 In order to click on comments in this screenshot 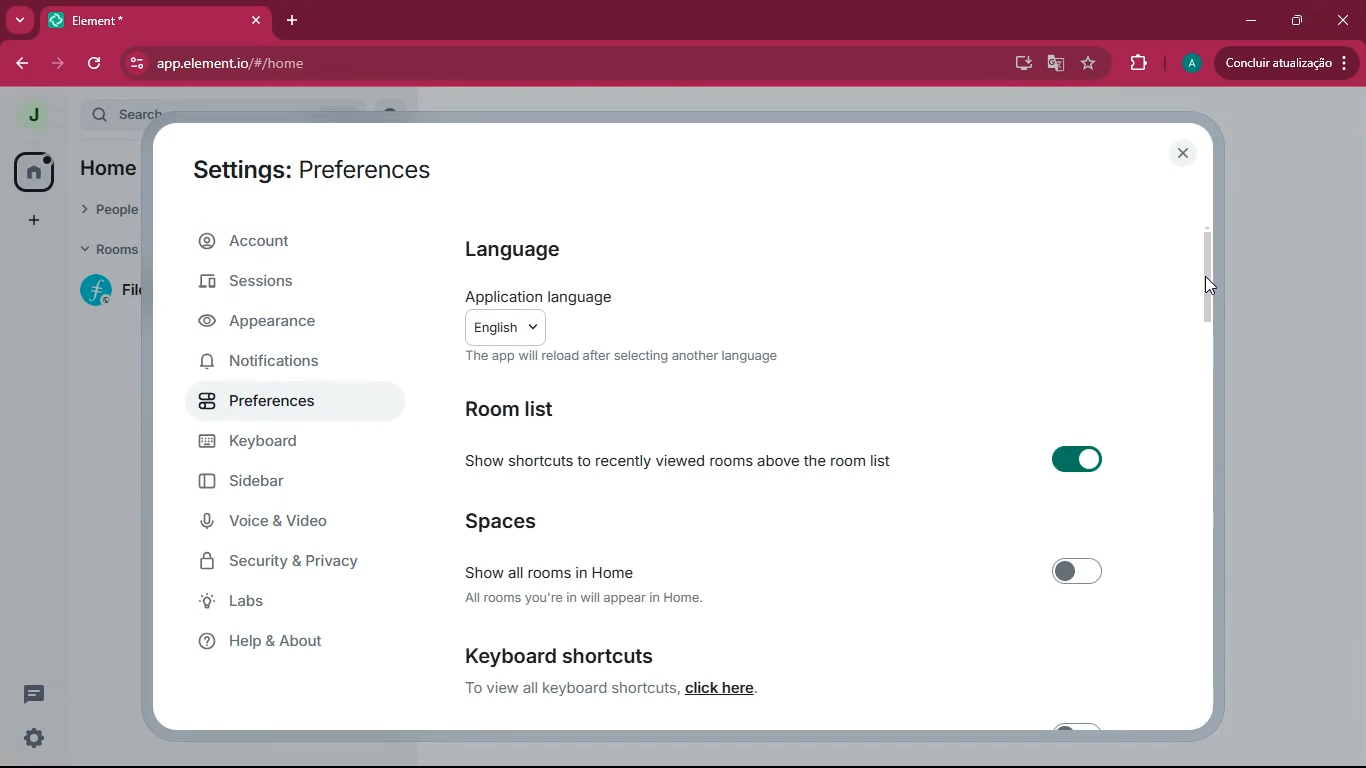, I will do `click(30, 694)`.